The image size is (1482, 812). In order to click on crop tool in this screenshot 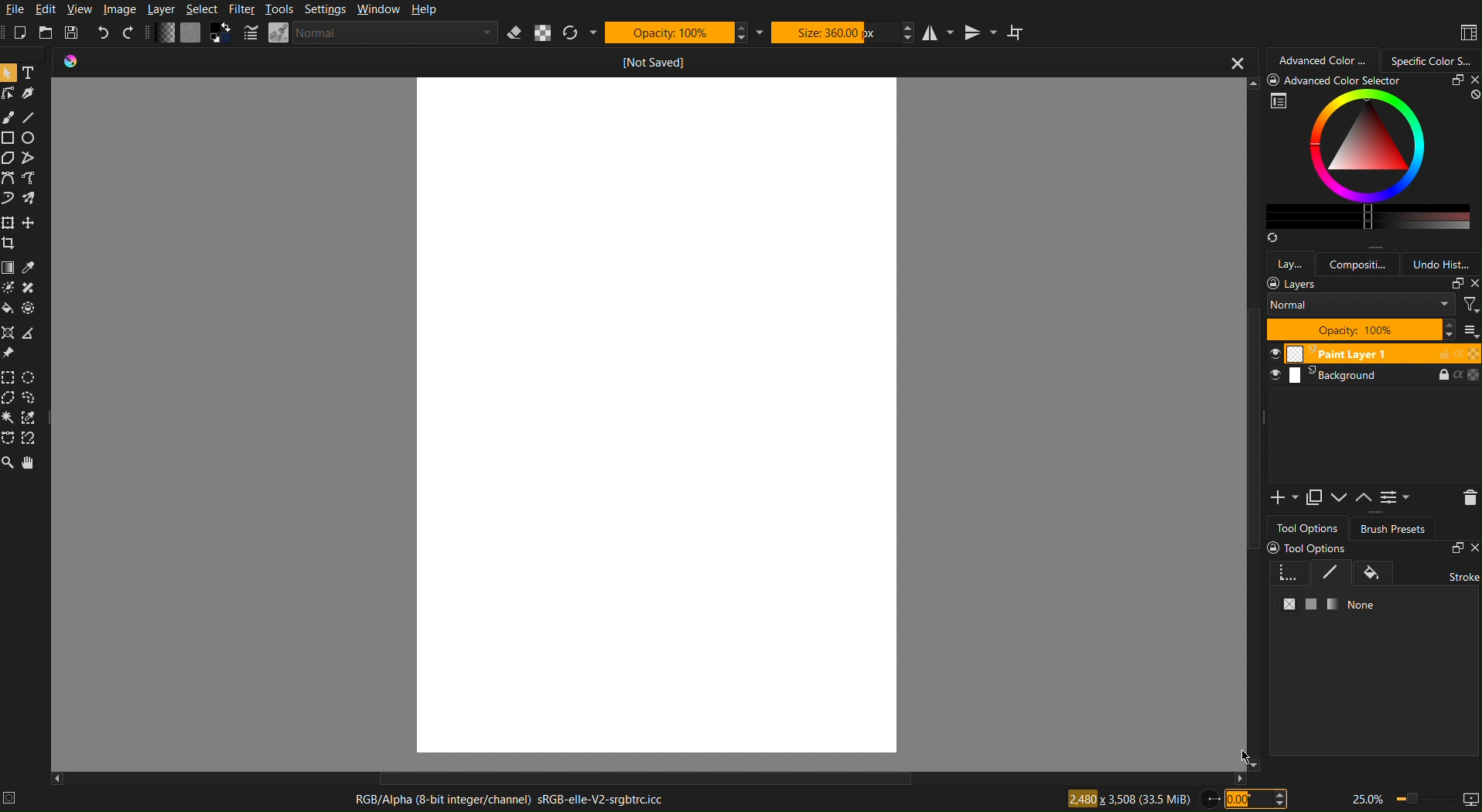, I will do `click(9, 244)`.